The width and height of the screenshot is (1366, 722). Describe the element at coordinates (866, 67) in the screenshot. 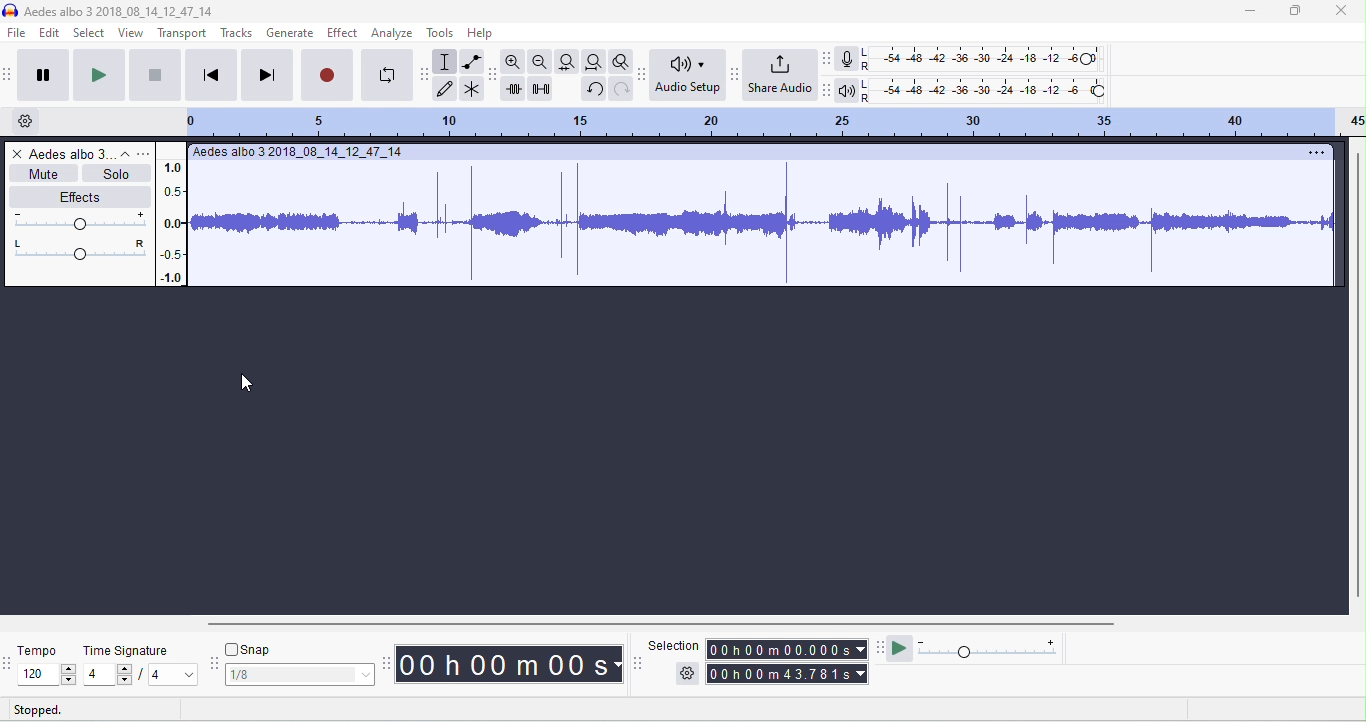

I see `R` at that location.